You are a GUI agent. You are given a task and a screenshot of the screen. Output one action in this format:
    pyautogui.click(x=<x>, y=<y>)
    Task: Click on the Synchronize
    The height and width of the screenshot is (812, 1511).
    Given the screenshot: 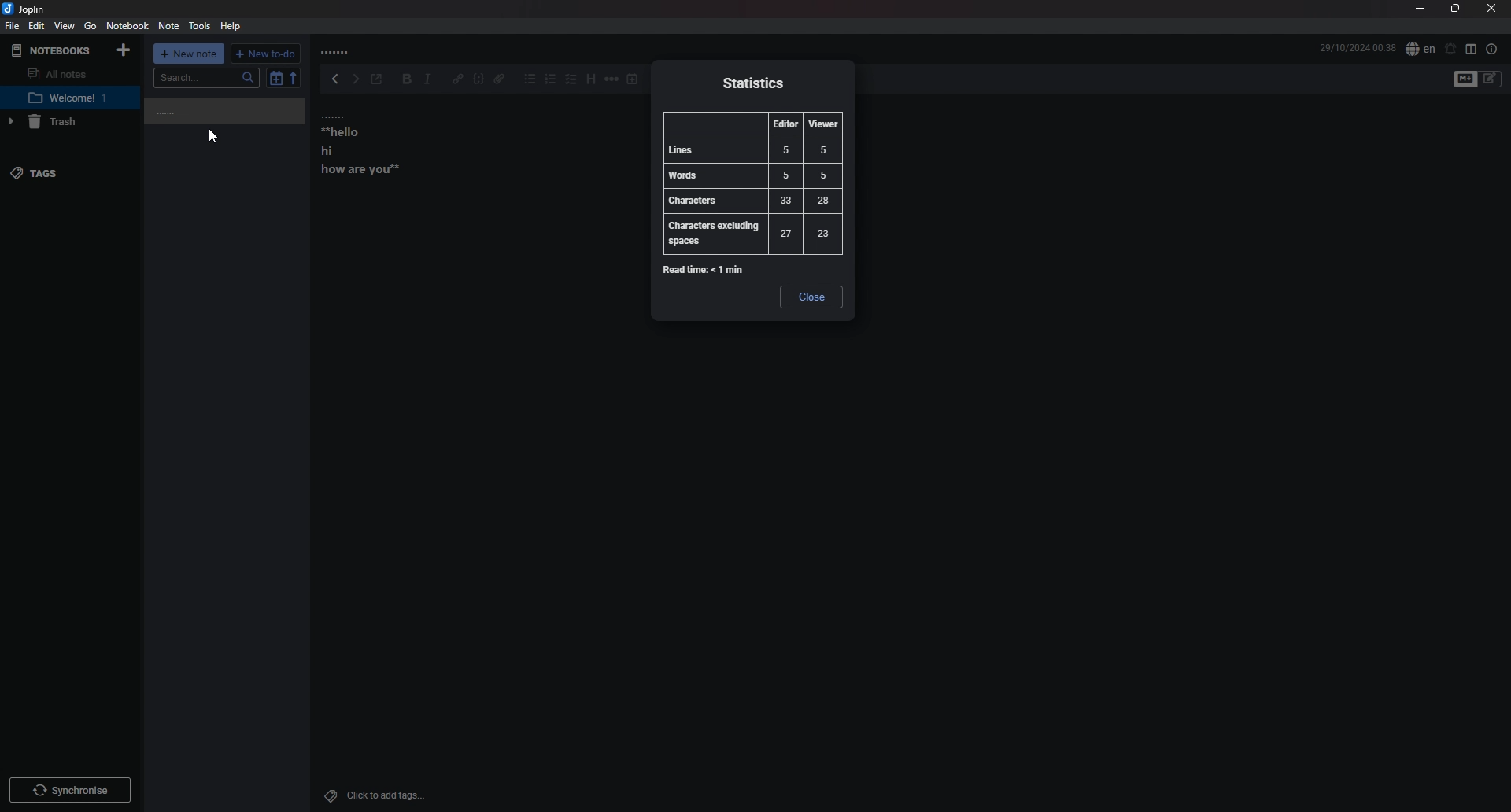 What is the action you would take?
    pyautogui.click(x=72, y=788)
    